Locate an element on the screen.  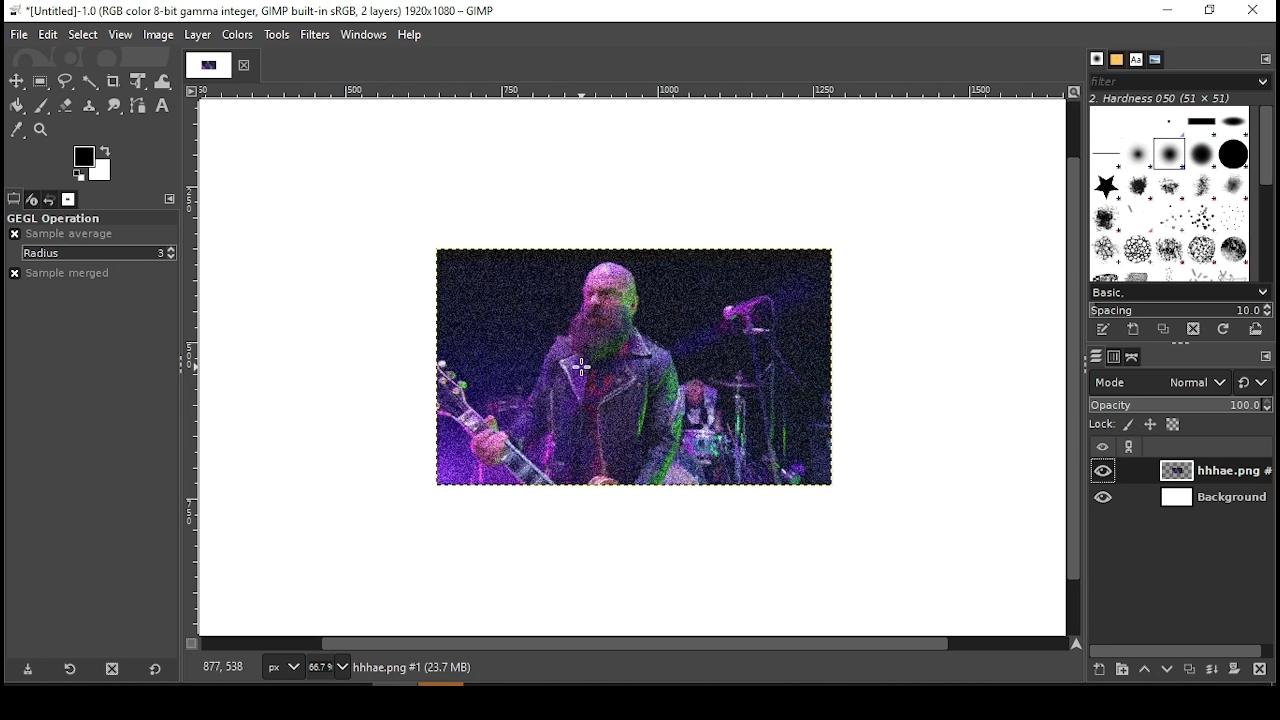
tools is located at coordinates (277, 37).